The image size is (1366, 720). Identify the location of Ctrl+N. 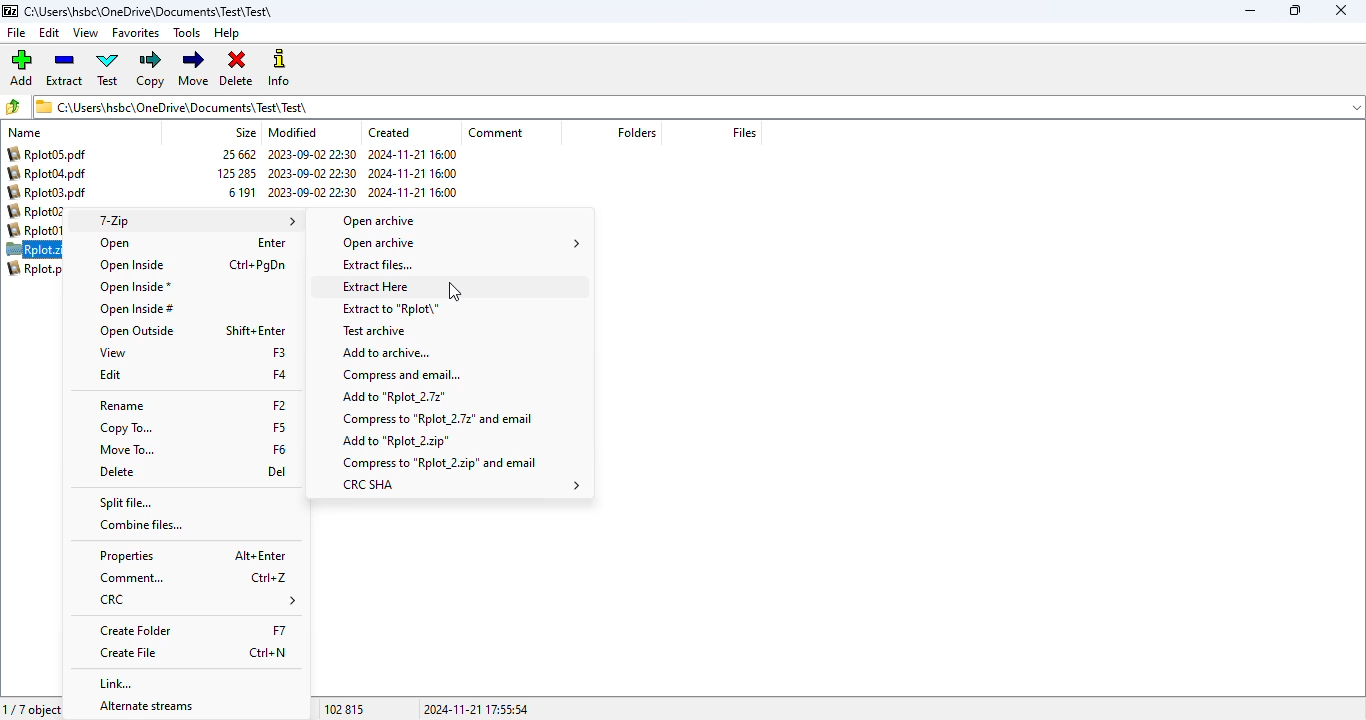
(271, 653).